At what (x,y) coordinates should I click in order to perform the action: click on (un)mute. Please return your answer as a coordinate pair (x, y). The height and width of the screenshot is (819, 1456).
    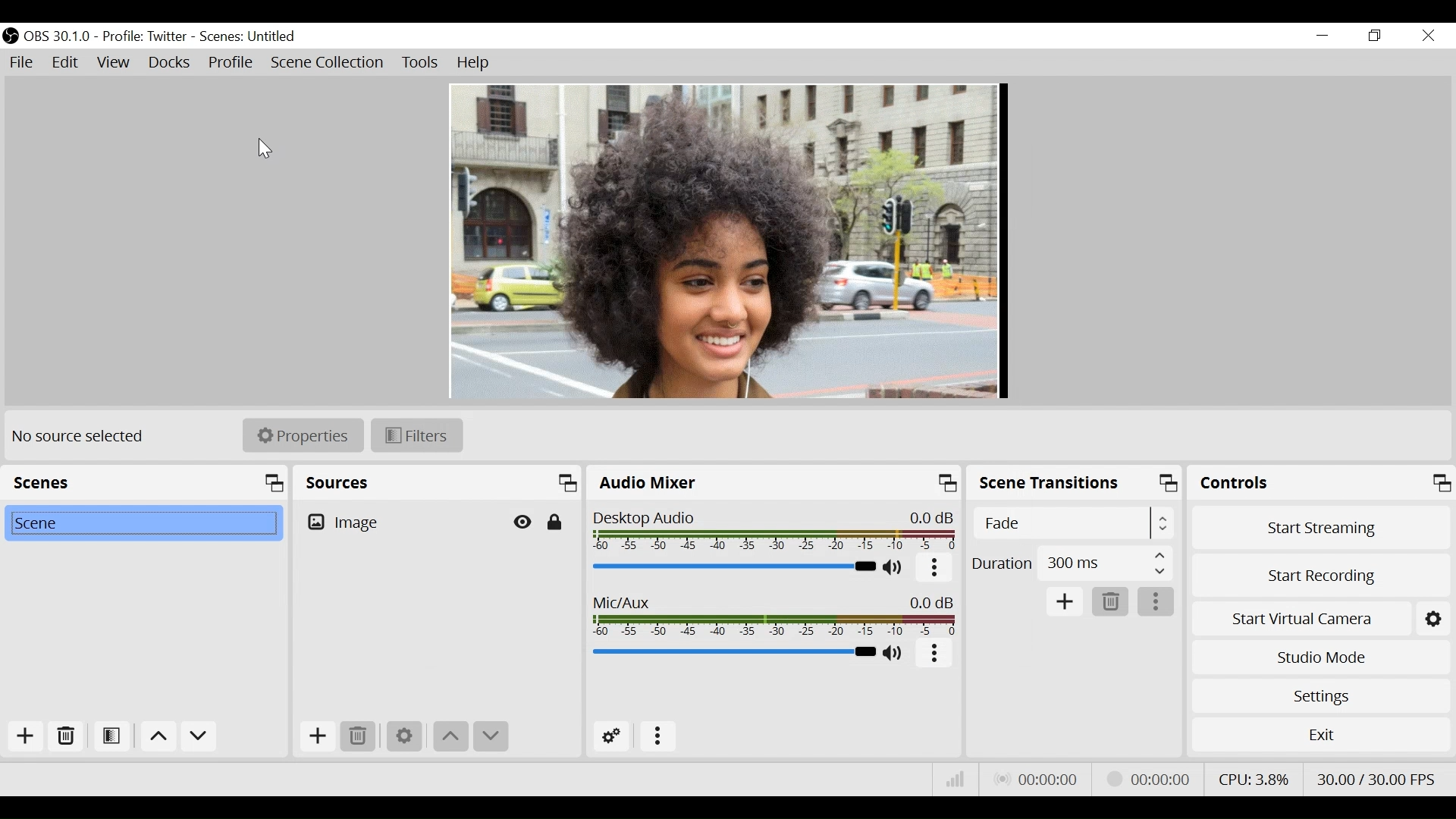
    Looking at the image, I should click on (895, 569).